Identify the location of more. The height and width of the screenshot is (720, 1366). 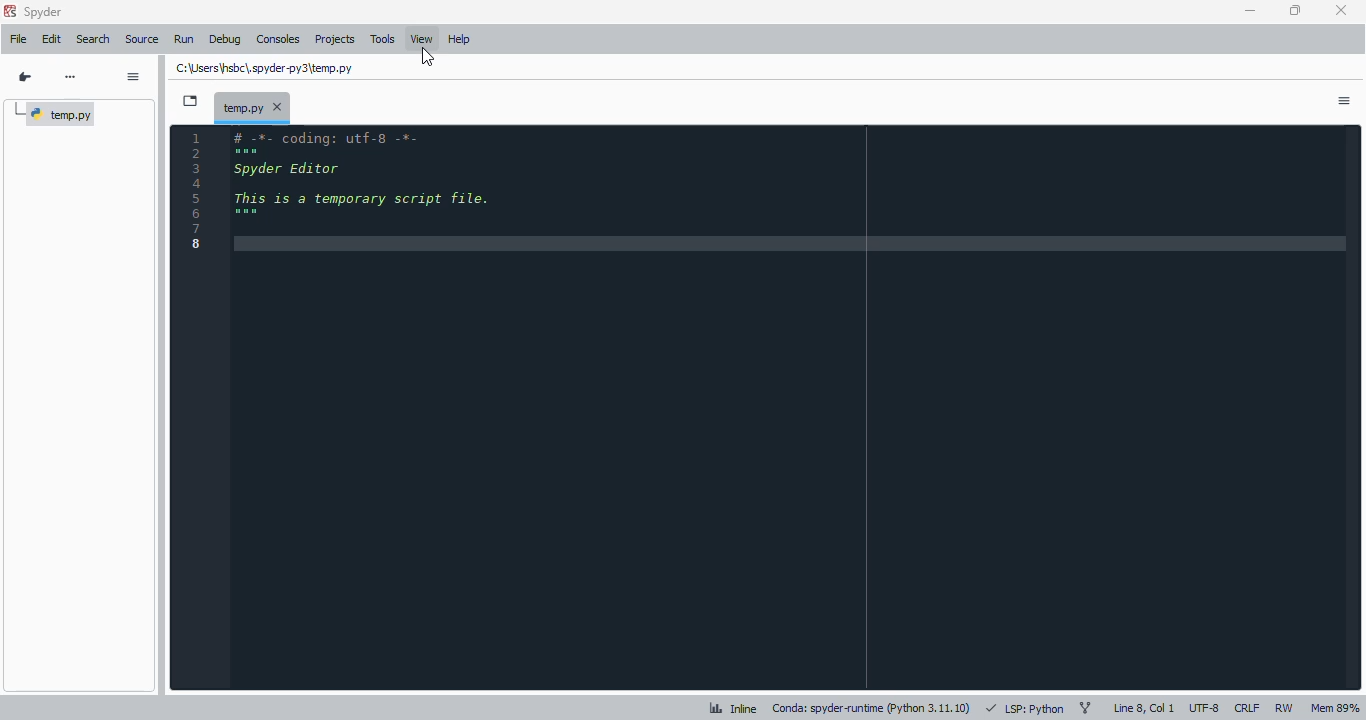
(71, 76).